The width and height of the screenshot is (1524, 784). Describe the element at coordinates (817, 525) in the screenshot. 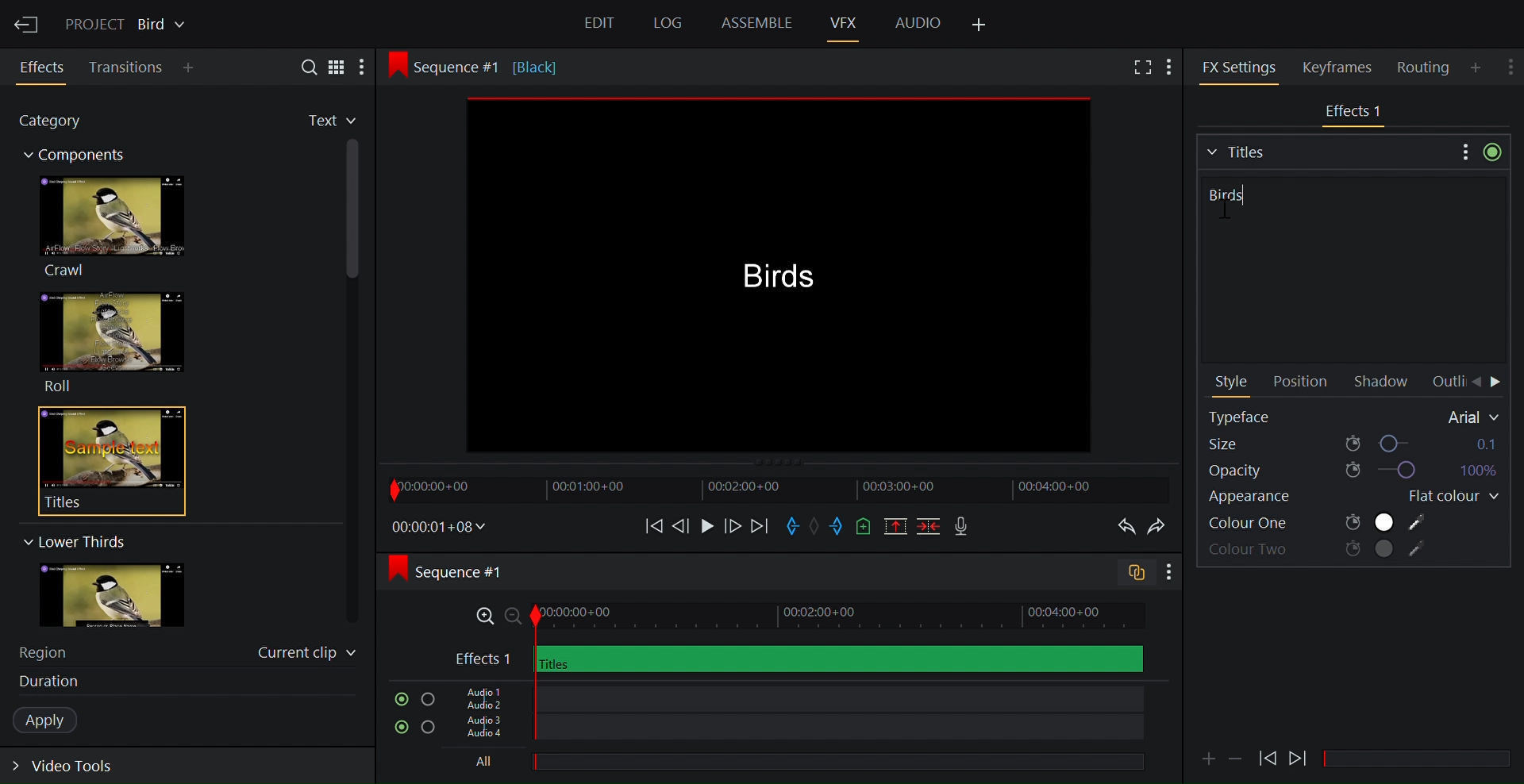

I see `Clear marks` at that location.